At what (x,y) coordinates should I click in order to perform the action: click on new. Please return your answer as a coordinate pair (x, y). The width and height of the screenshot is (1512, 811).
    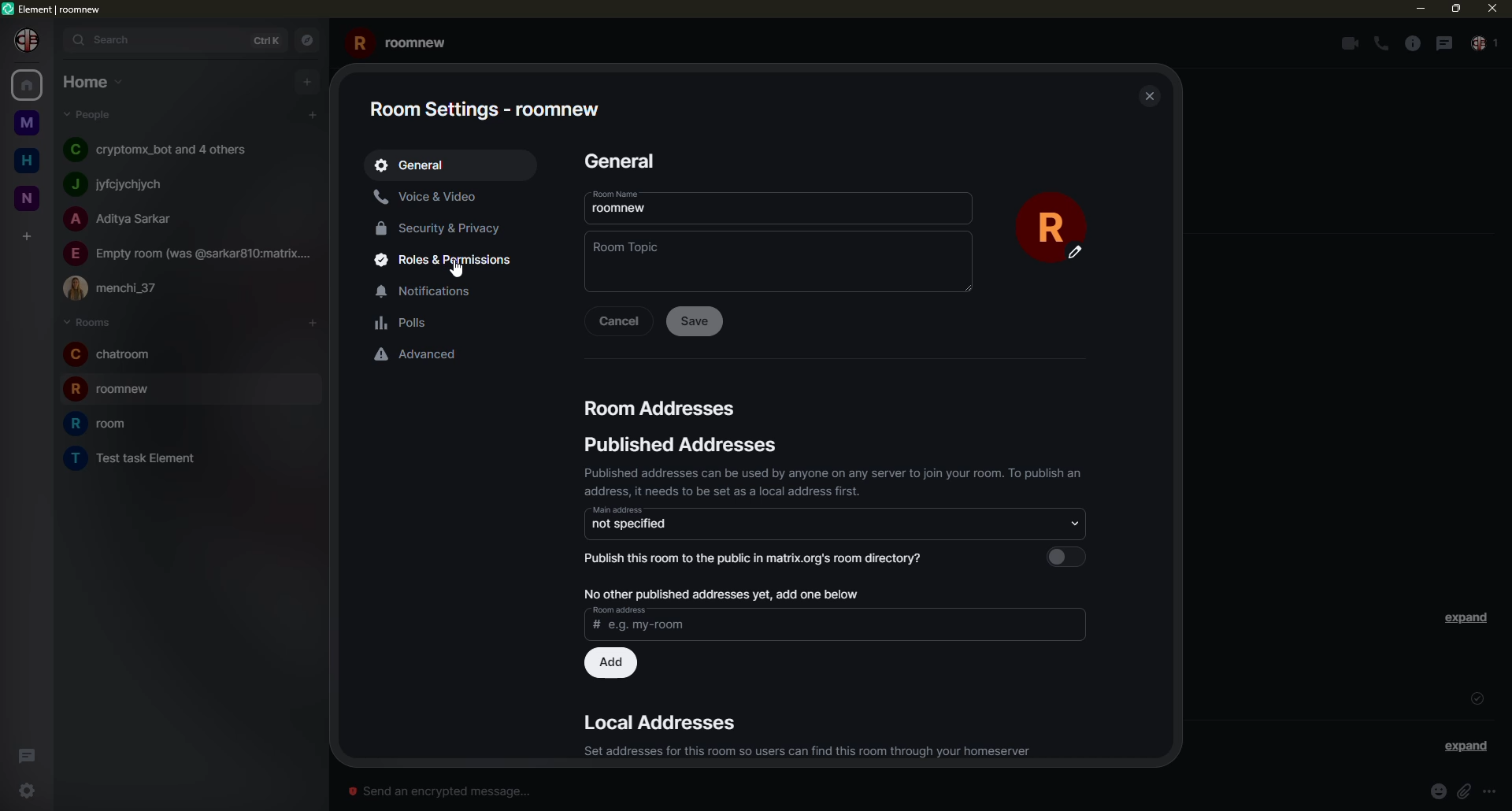
    Looking at the image, I should click on (28, 195).